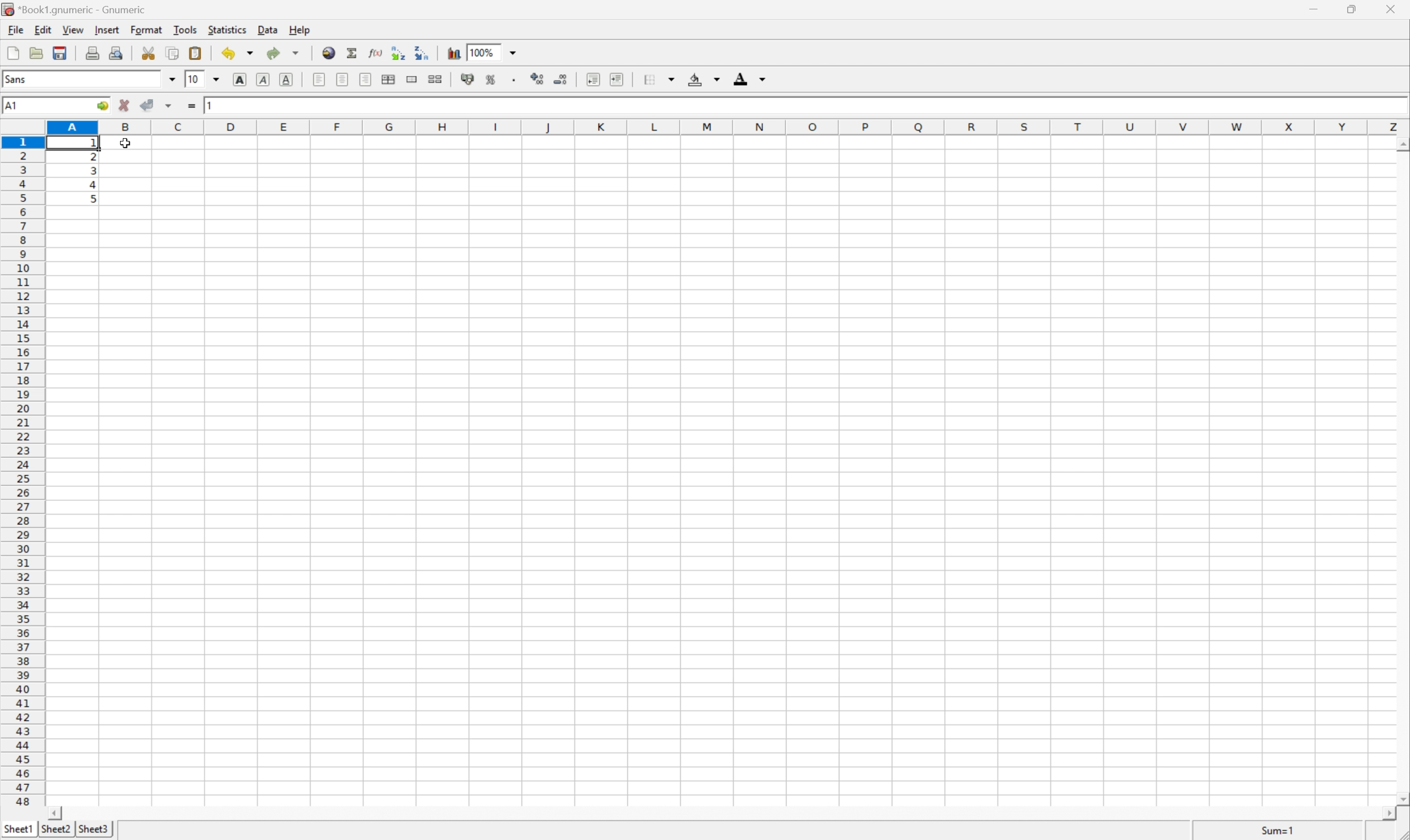  Describe the element at coordinates (512, 53) in the screenshot. I see `Drop Down` at that location.